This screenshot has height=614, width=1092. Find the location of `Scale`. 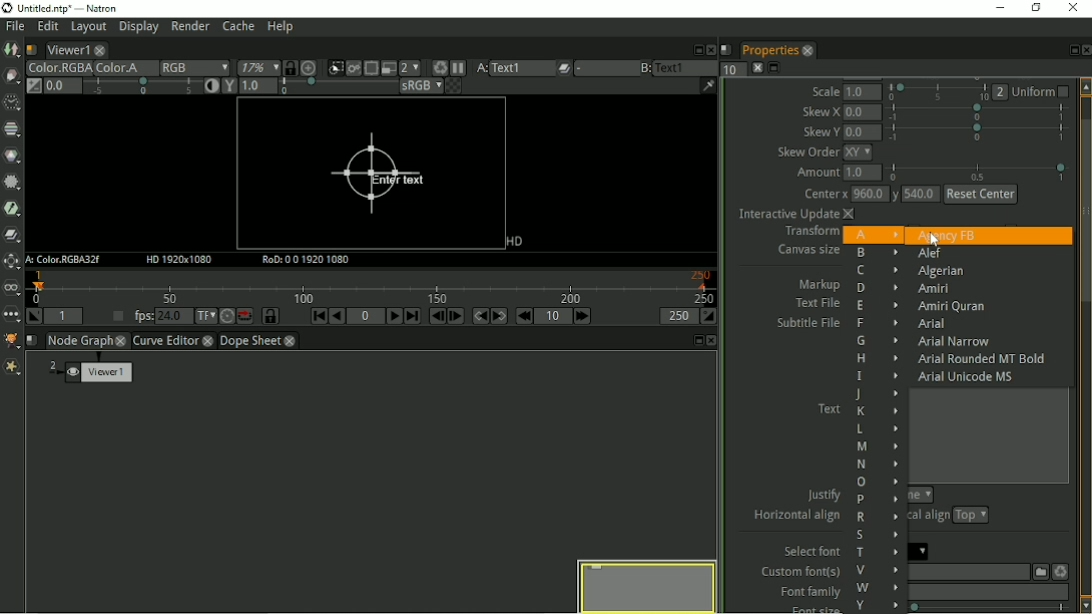

Scale is located at coordinates (826, 91).